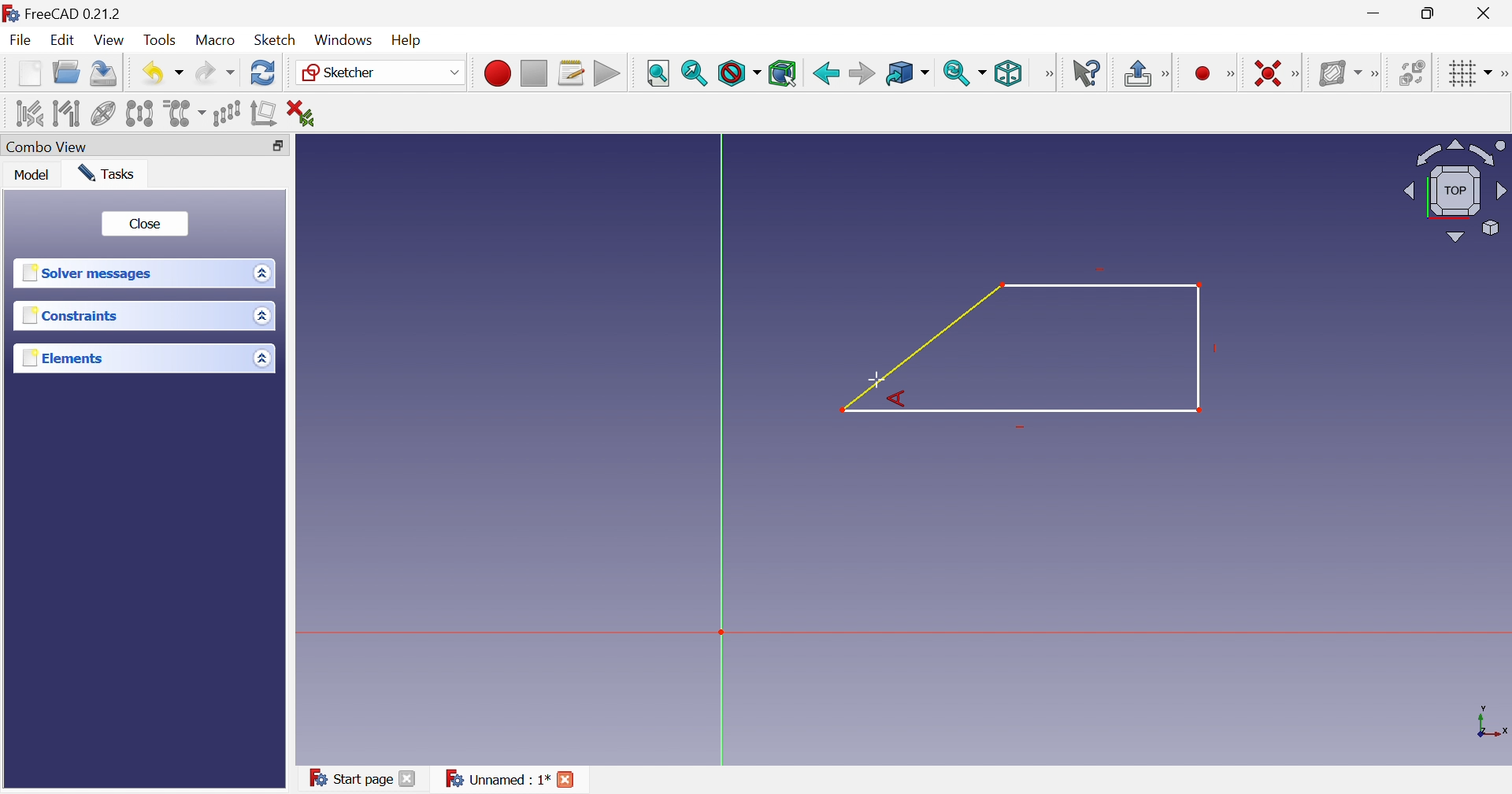  Describe the element at coordinates (23, 113) in the screenshot. I see `Select associated constraints` at that location.